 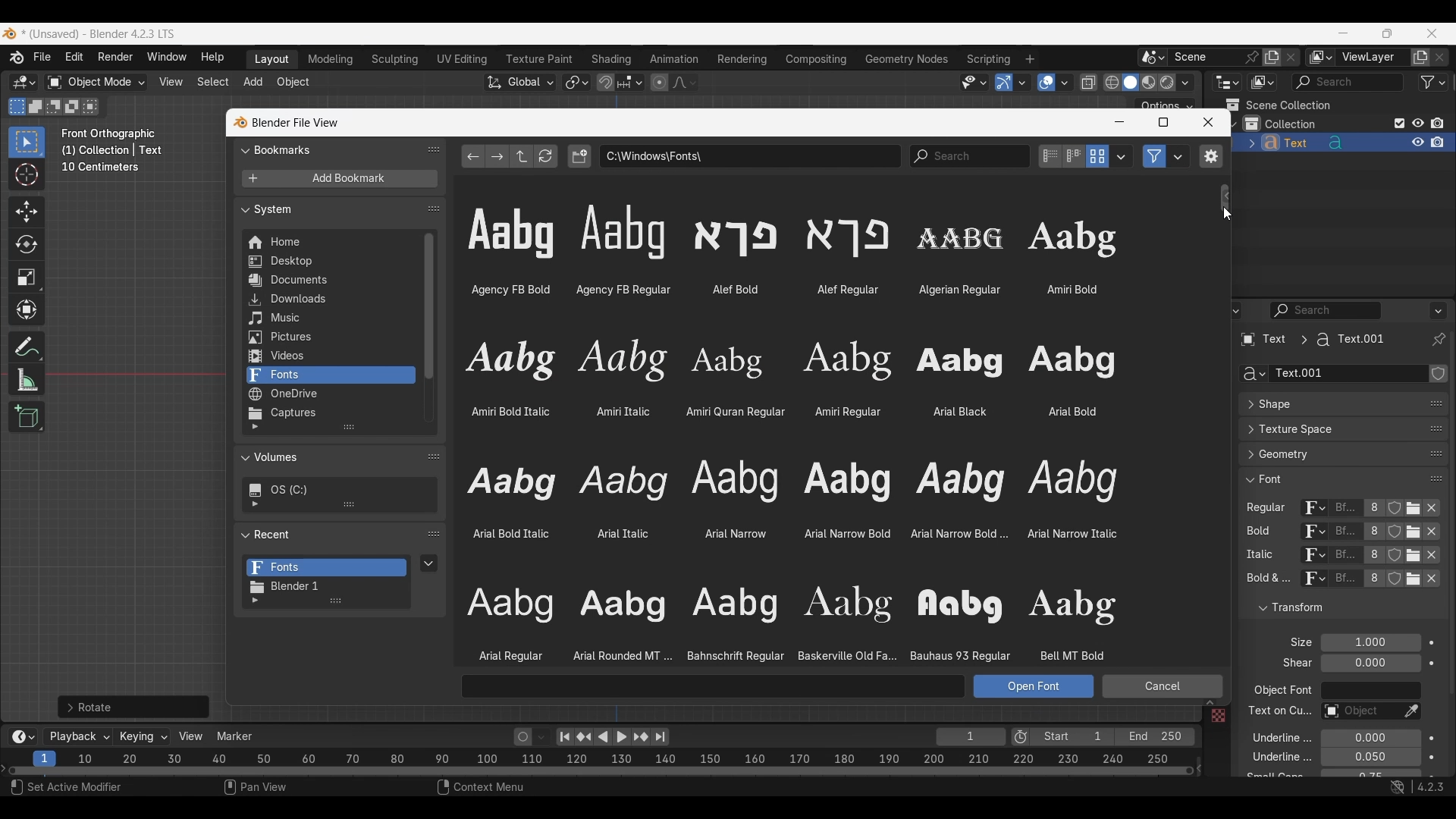 What do you see at coordinates (1420, 58) in the screenshot?
I see `Add view layer` at bounding box center [1420, 58].